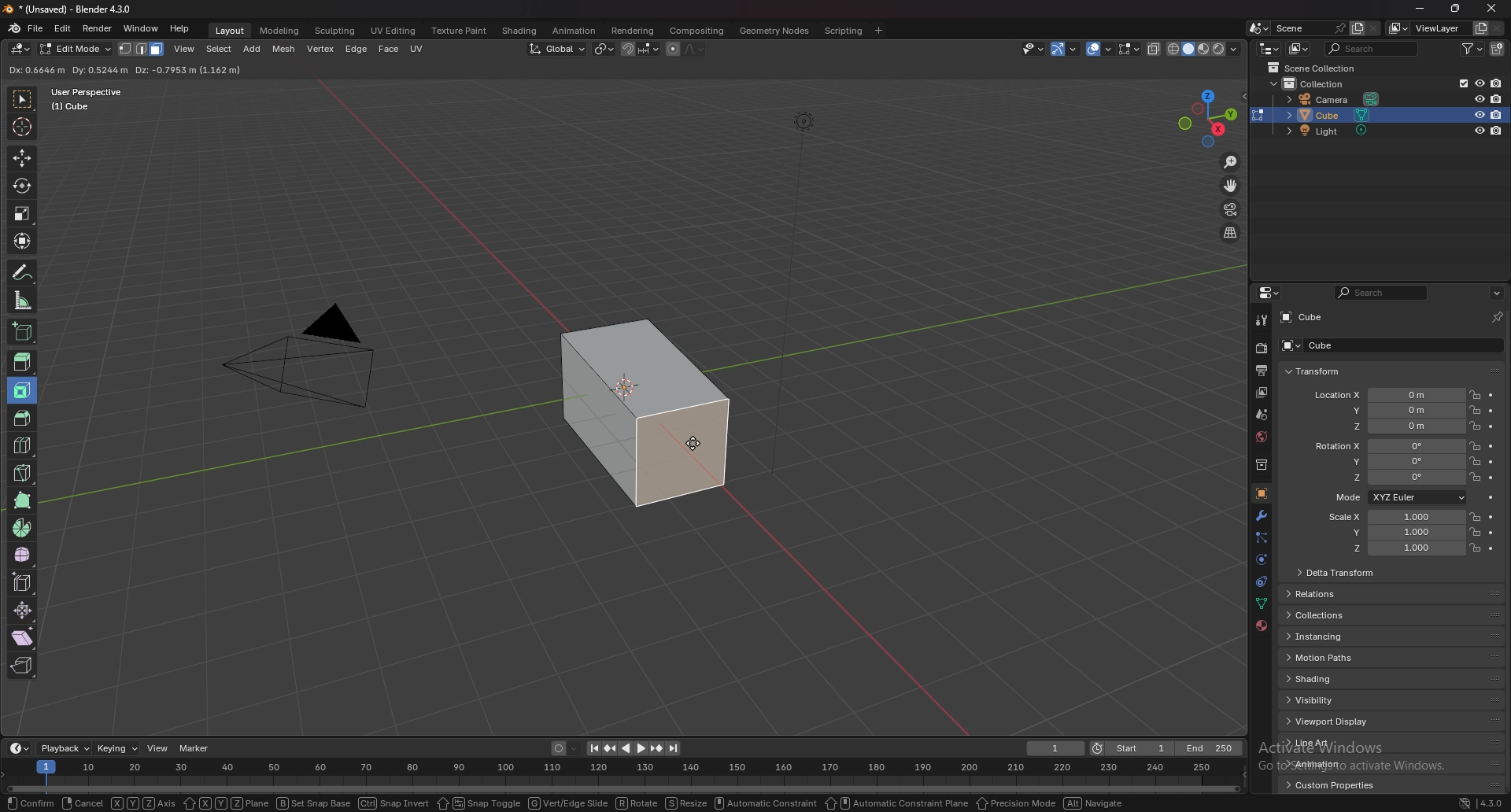 This screenshot has height=812, width=1511. I want to click on view layer, so click(1424, 28).